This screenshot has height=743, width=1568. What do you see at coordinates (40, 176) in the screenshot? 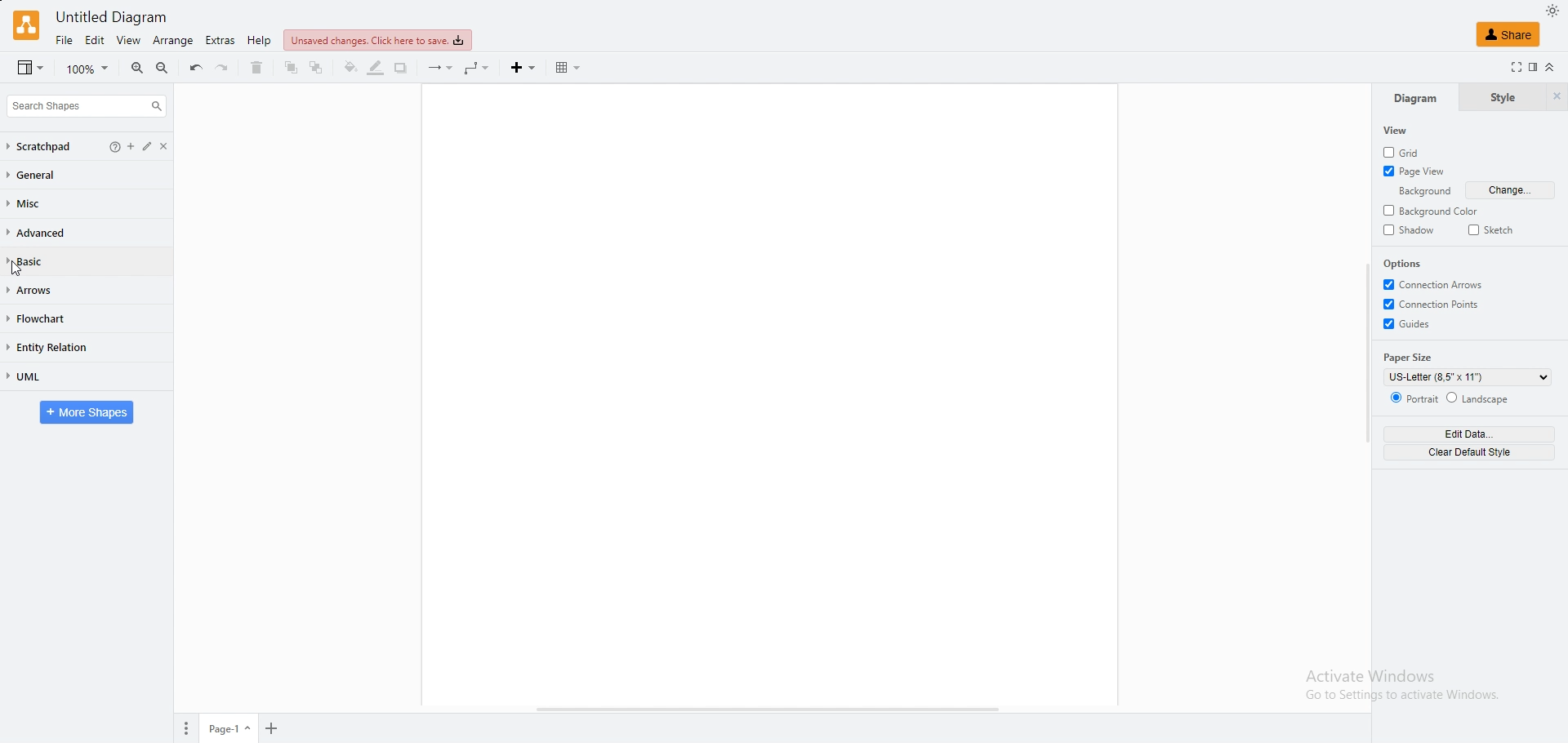
I see `general` at bounding box center [40, 176].